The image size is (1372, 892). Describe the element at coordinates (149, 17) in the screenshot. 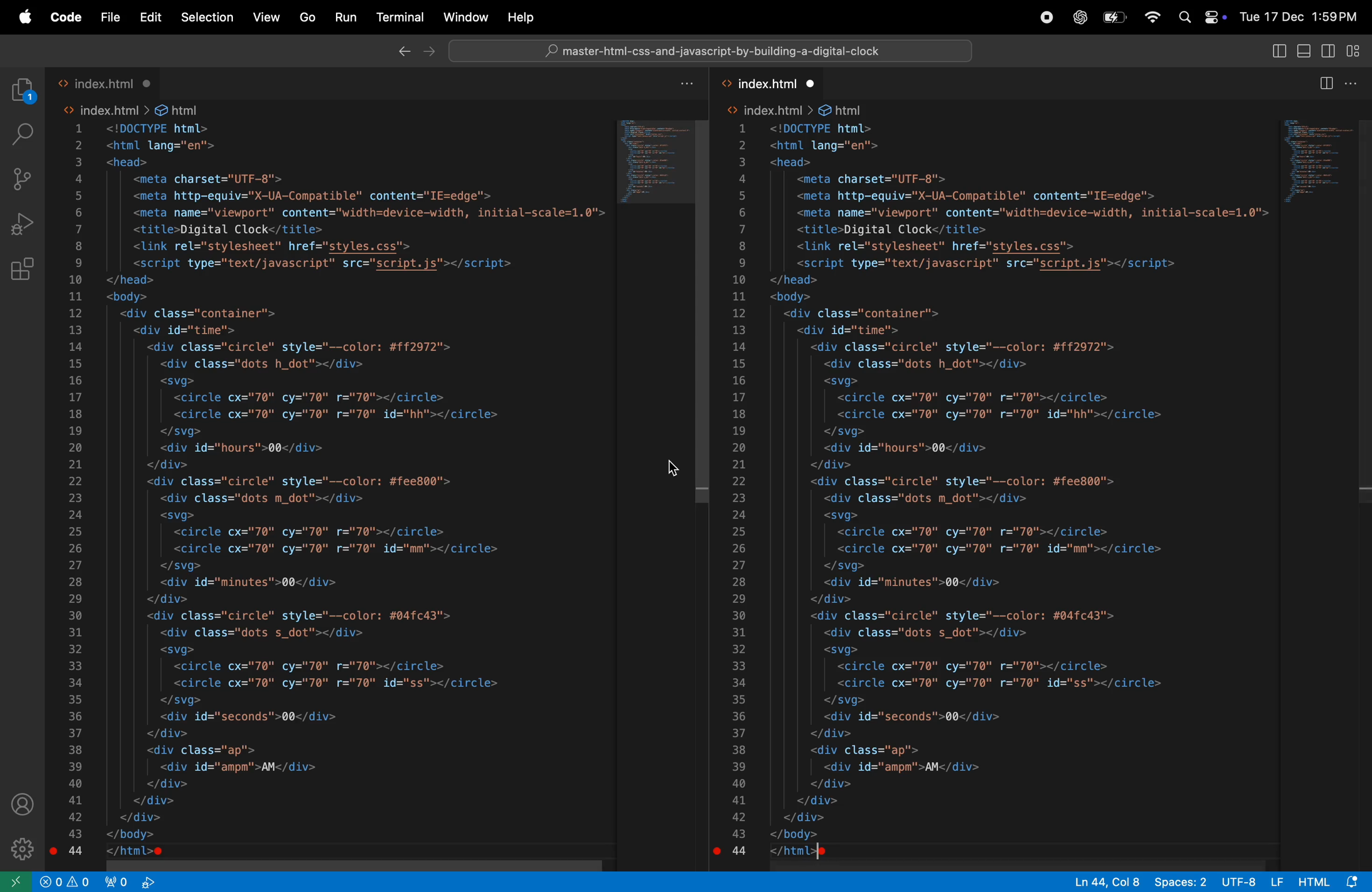

I see `edit` at that location.